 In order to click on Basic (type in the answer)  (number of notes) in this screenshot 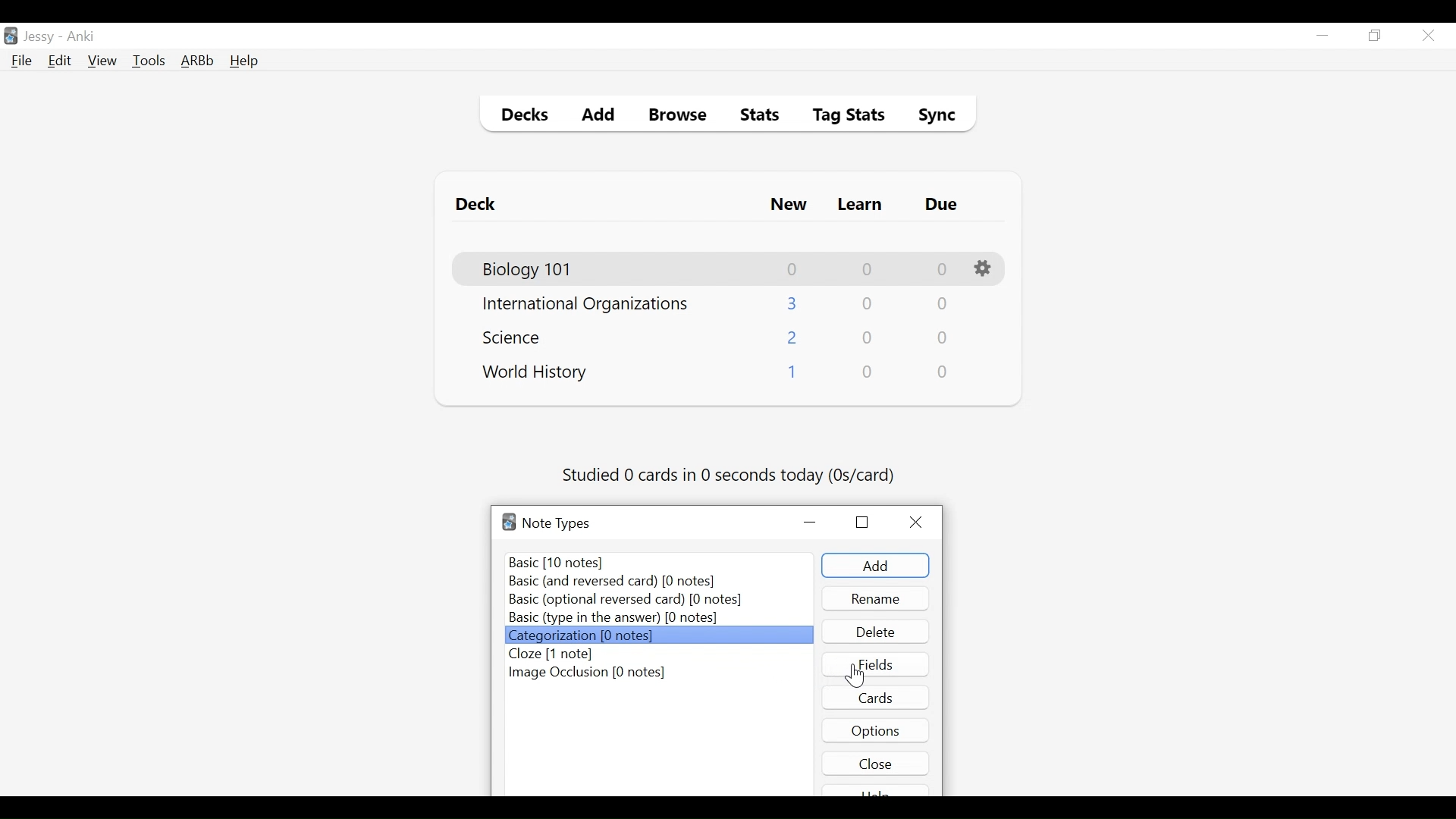, I will do `click(613, 618)`.